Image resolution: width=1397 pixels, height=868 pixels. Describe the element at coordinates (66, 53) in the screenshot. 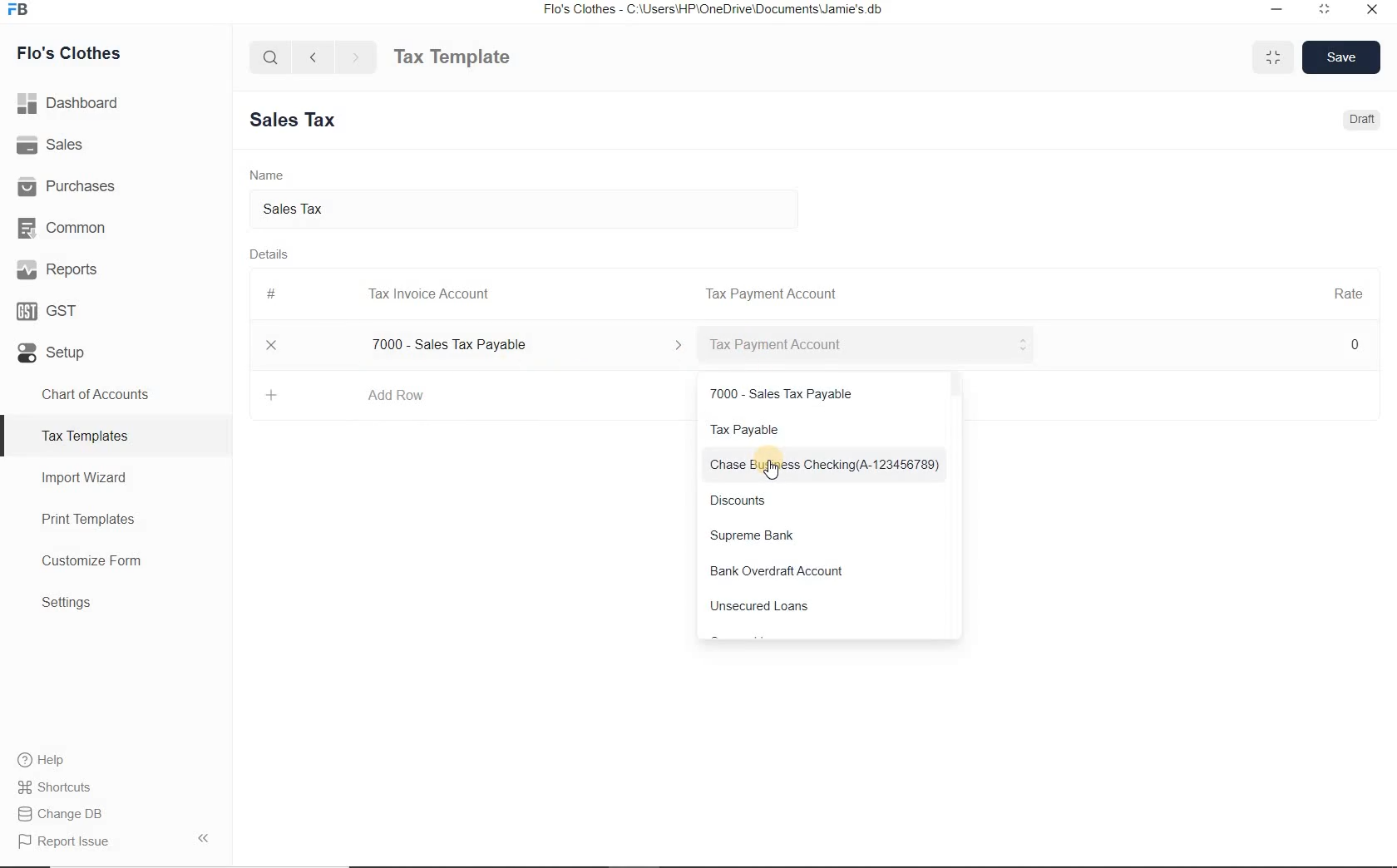

I see `Flo's Clothes` at that location.